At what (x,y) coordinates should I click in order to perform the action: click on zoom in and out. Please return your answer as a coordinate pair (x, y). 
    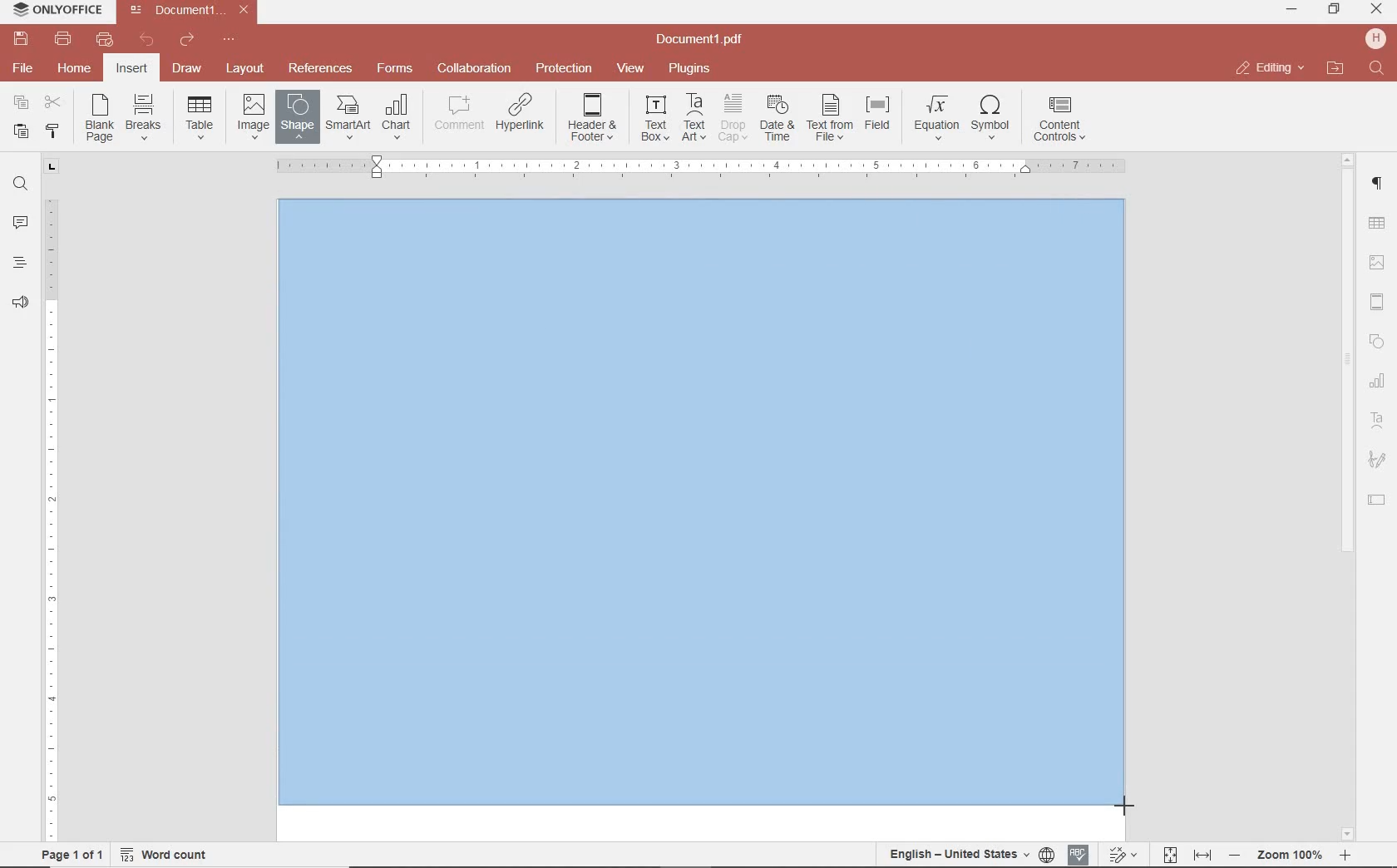
    Looking at the image, I should click on (1290, 856).